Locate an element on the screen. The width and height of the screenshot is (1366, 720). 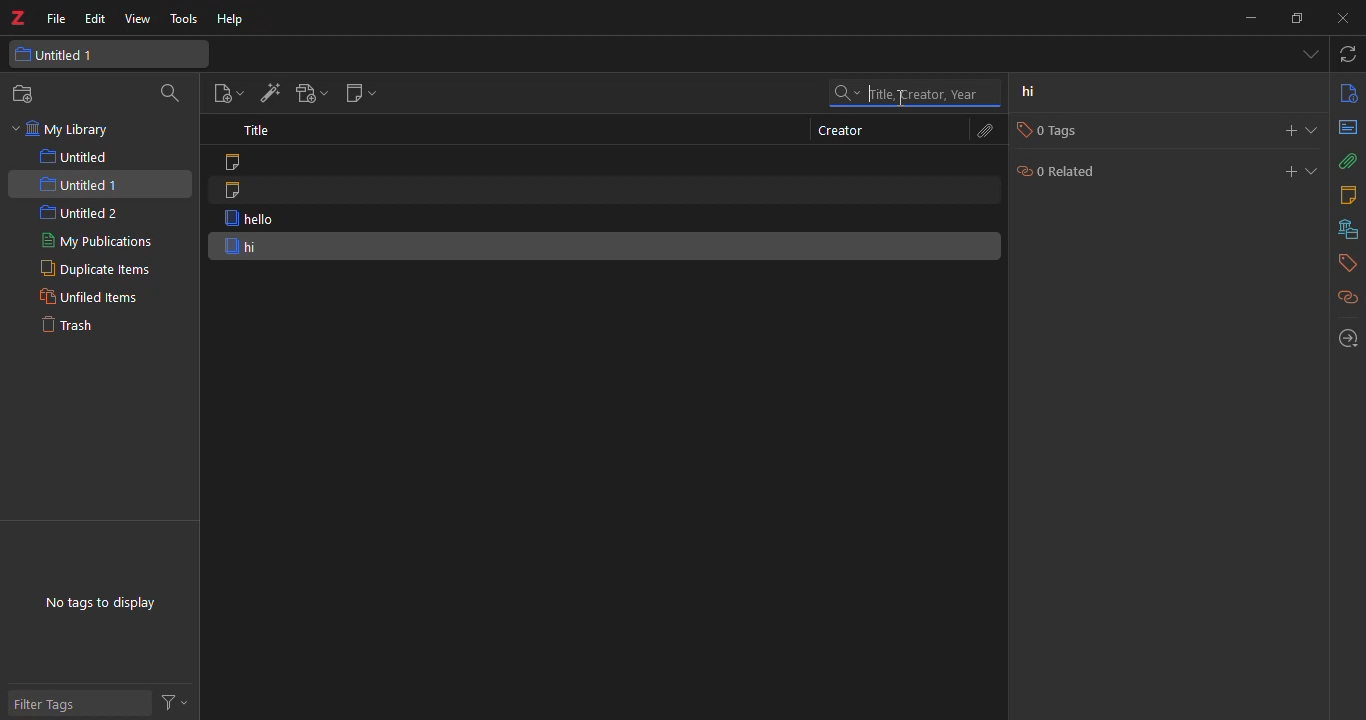
attach is located at coordinates (1348, 162).